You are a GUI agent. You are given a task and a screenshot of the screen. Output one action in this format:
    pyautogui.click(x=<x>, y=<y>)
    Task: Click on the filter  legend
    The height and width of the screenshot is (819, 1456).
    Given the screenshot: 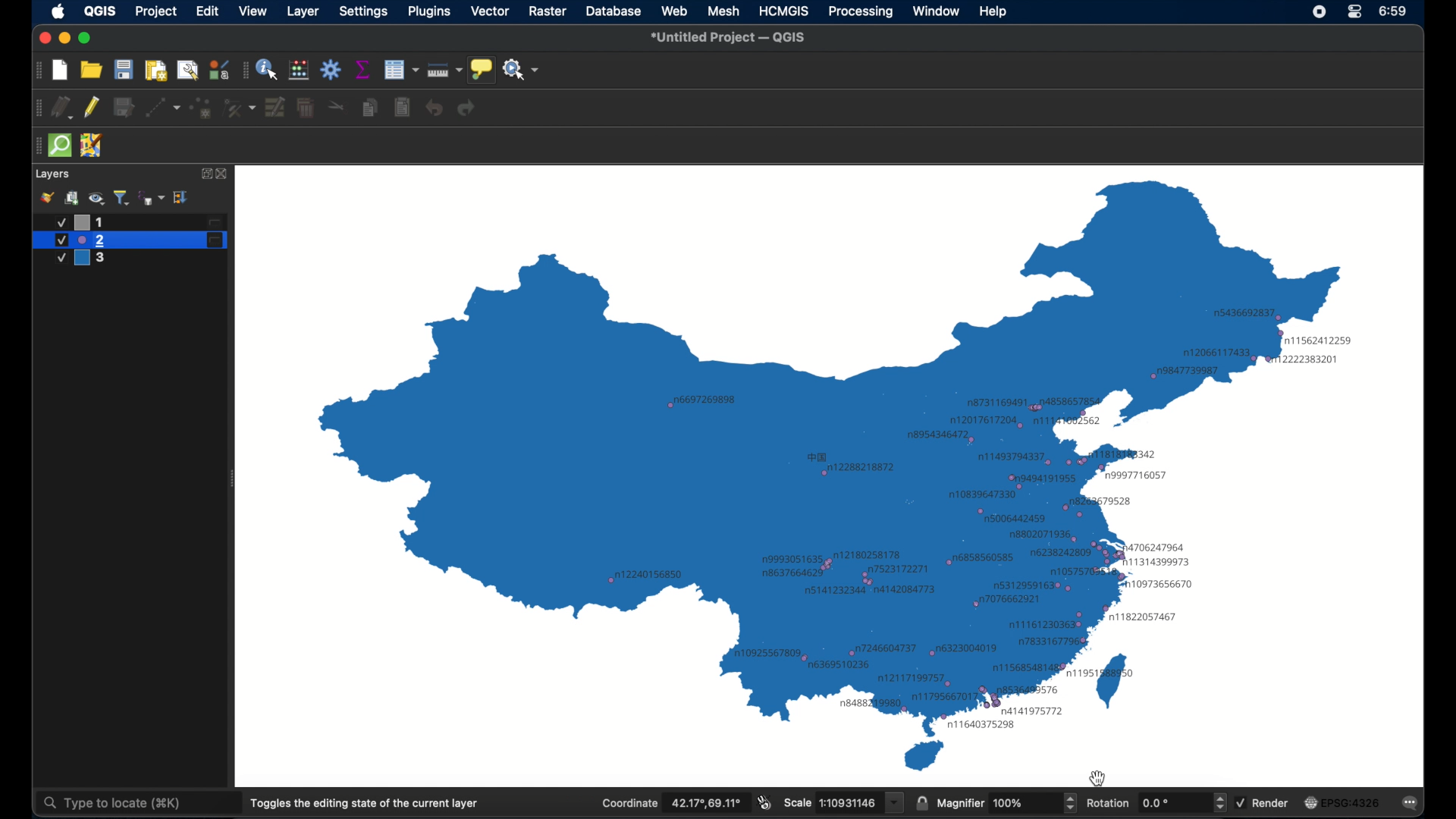 What is the action you would take?
    pyautogui.click(x=122, y=197)
    